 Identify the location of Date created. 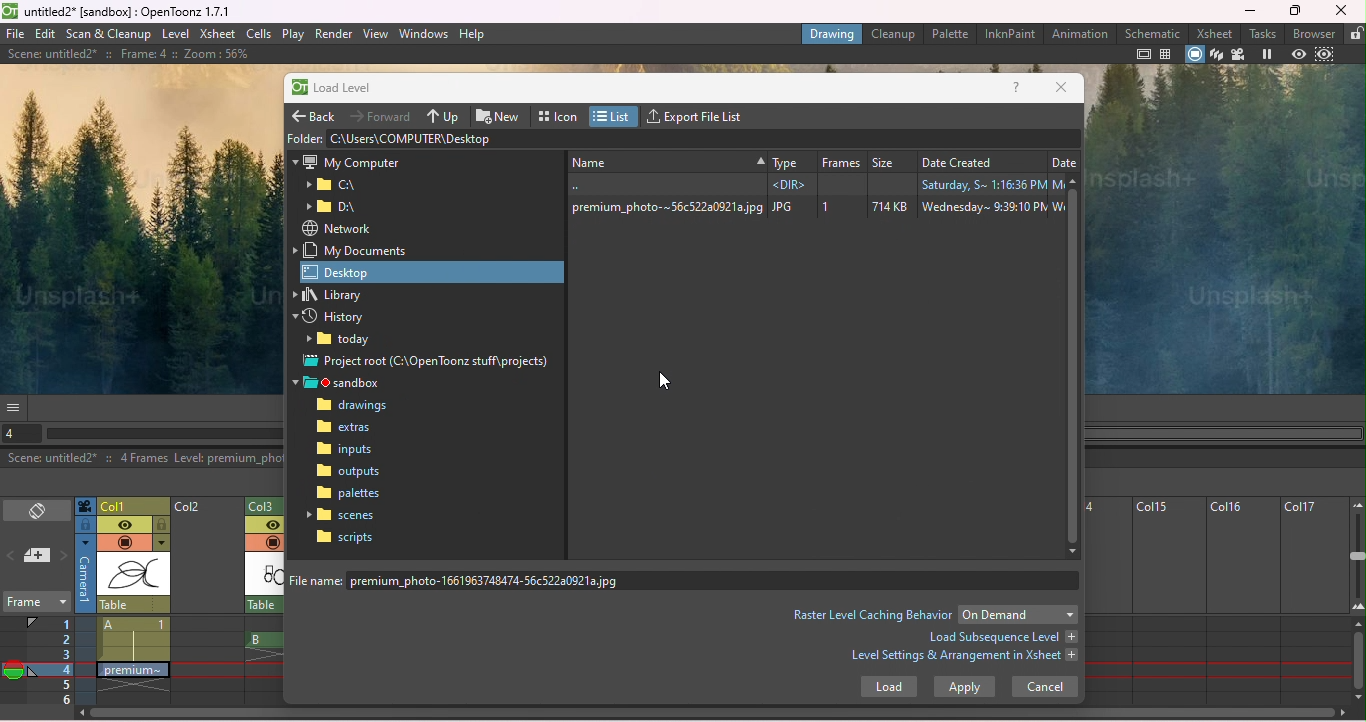
(980, 159).